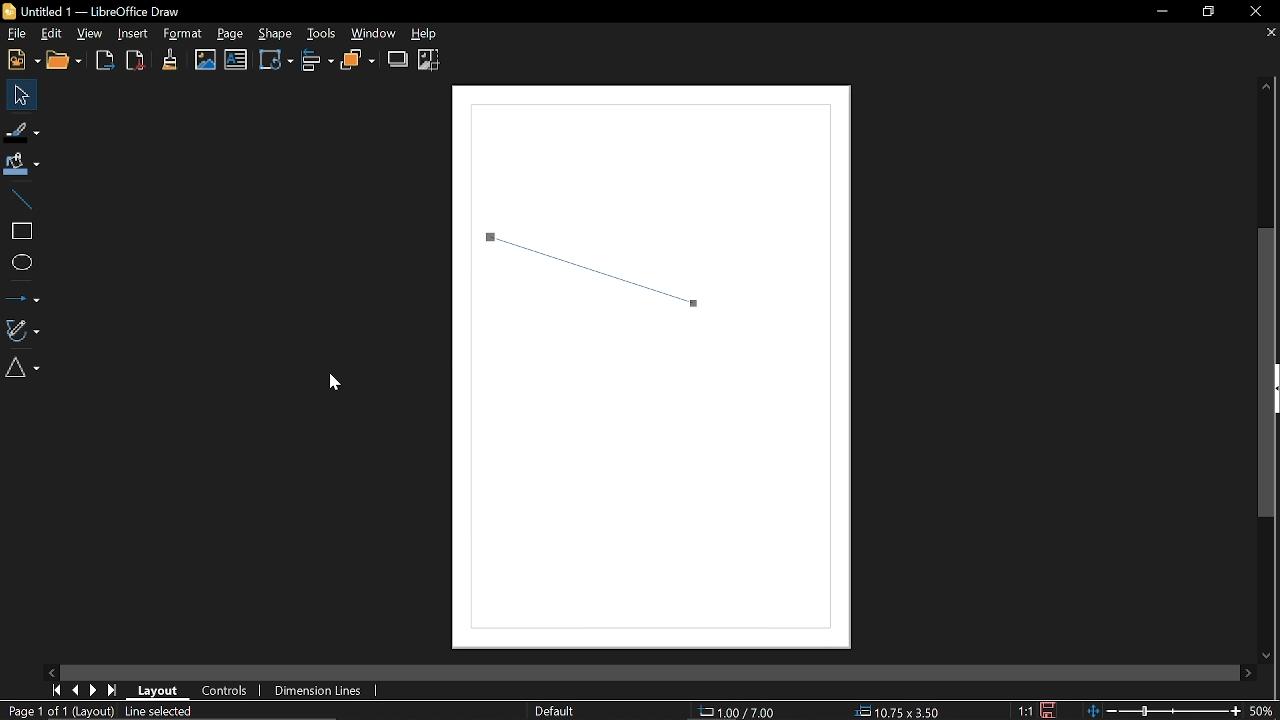 The height and width of the screenshot is (720, 1280). What do you see at coordinates (236, 61) in the screenshot?
I see `Insert text` at bounding box center [236, 61].